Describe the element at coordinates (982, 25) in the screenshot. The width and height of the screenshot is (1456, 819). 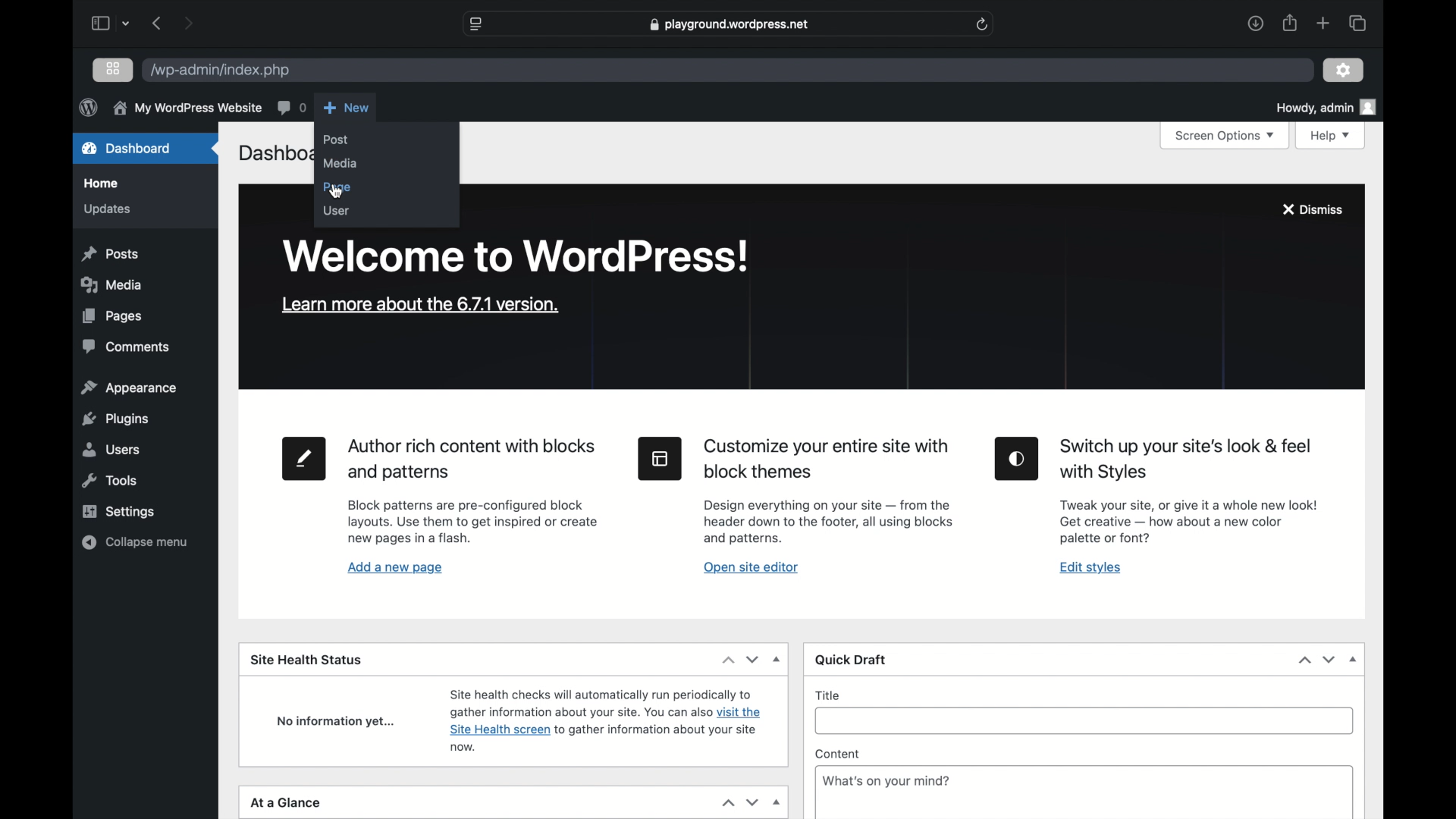
I see `refresh` at that location.